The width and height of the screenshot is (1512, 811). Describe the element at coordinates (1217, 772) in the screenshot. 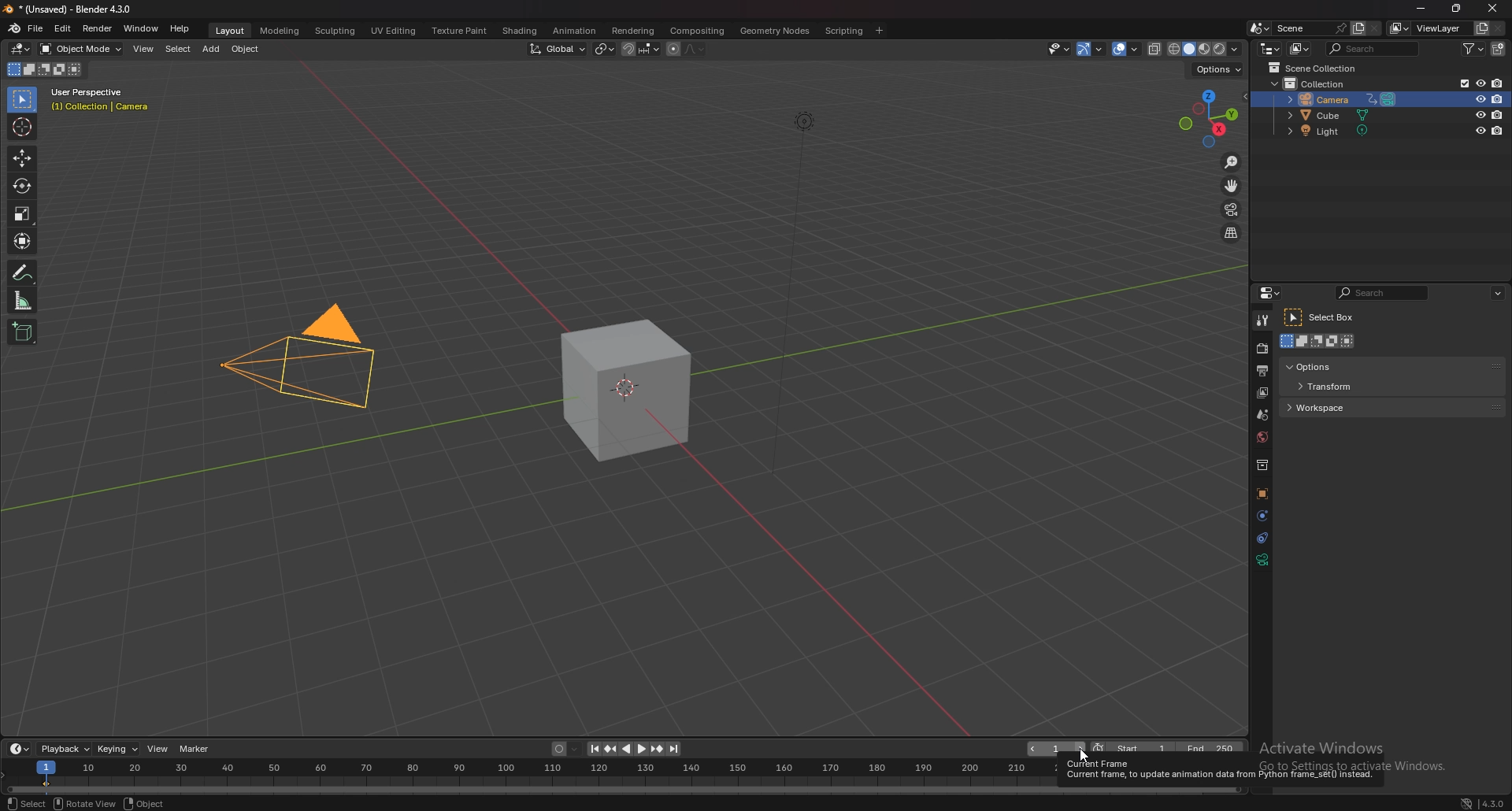

I see `tooltip` at that location.